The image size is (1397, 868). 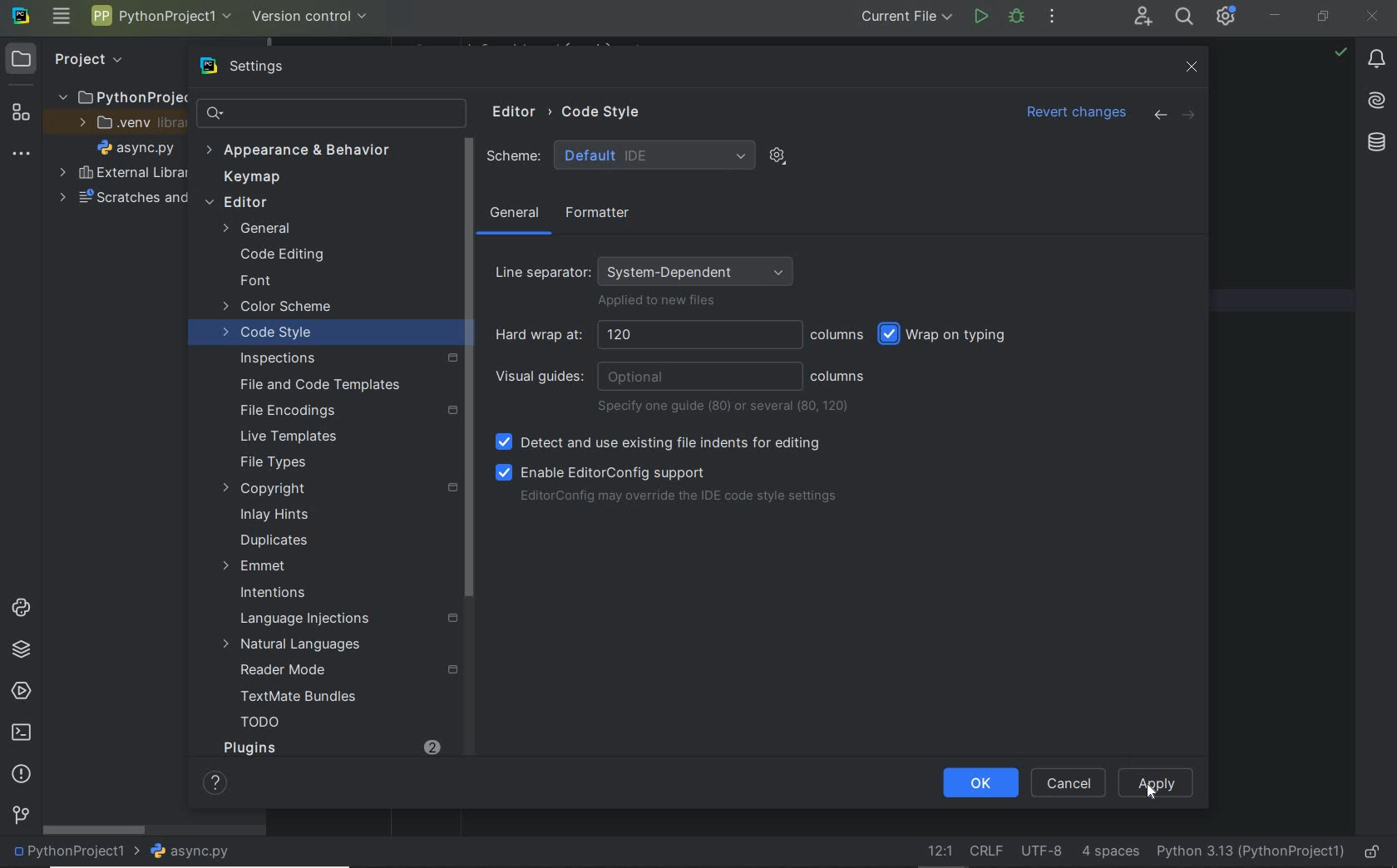 I want to click on Editor, so click(x=510, y=113).